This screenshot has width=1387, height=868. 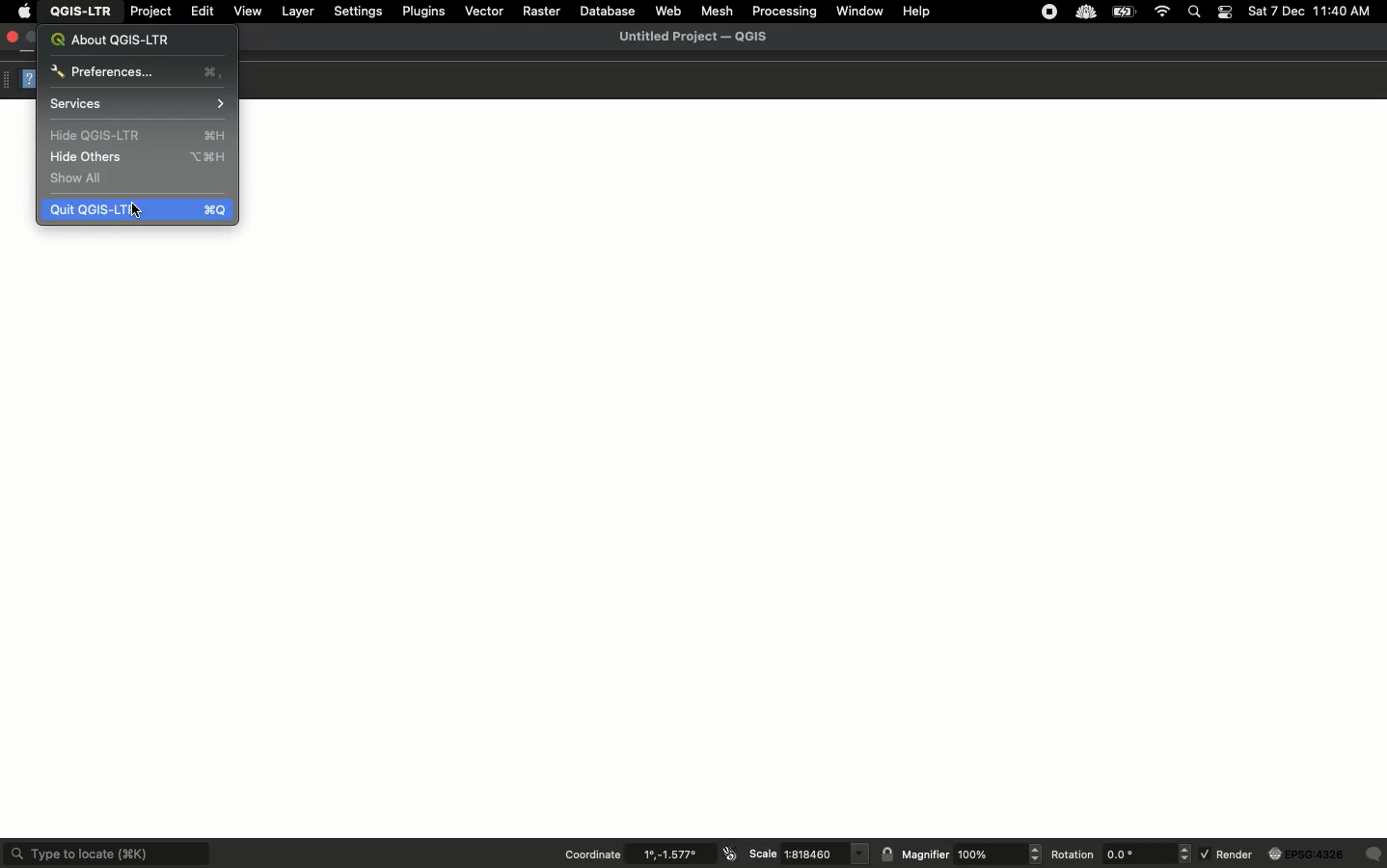 What do you see at coordinates (109, 853) in the screenshot?
I see `Type to locate` at bounding box center [109, 853].